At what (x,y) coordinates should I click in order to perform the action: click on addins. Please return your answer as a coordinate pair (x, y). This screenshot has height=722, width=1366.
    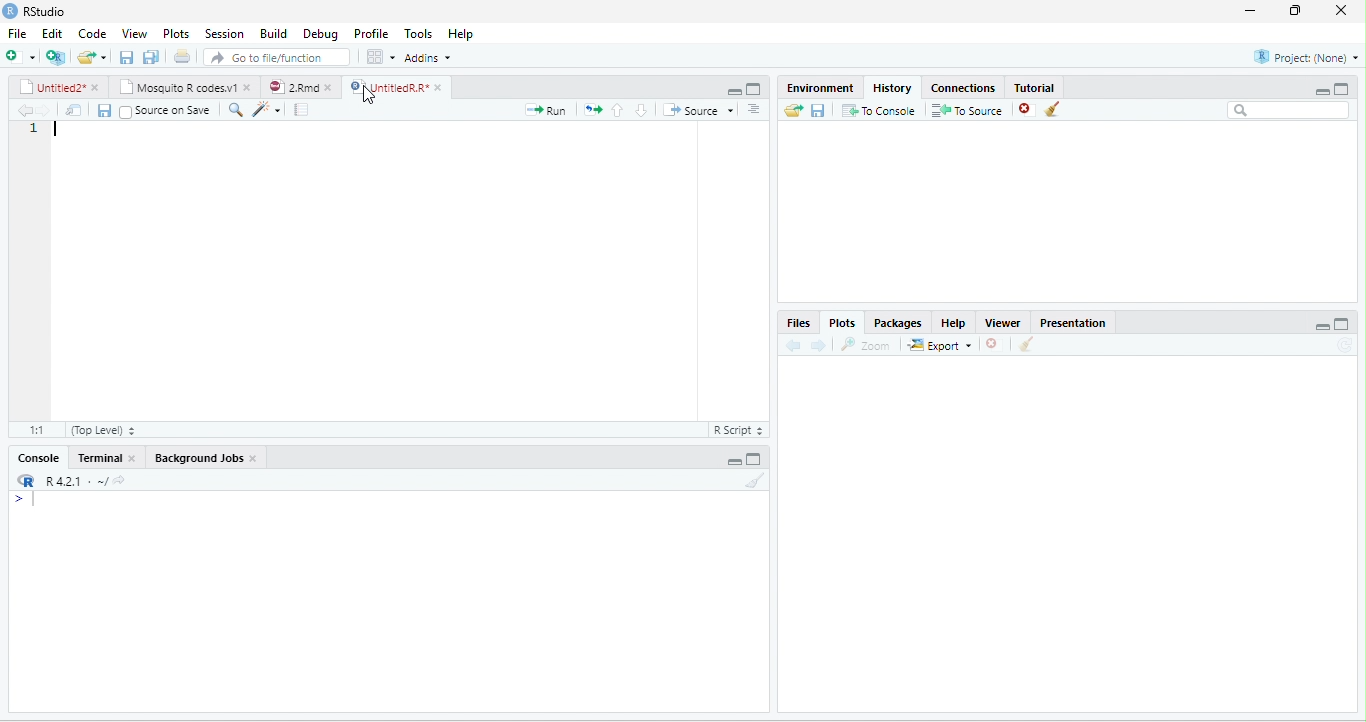
    Looking at the image, I should click on (432, 57).